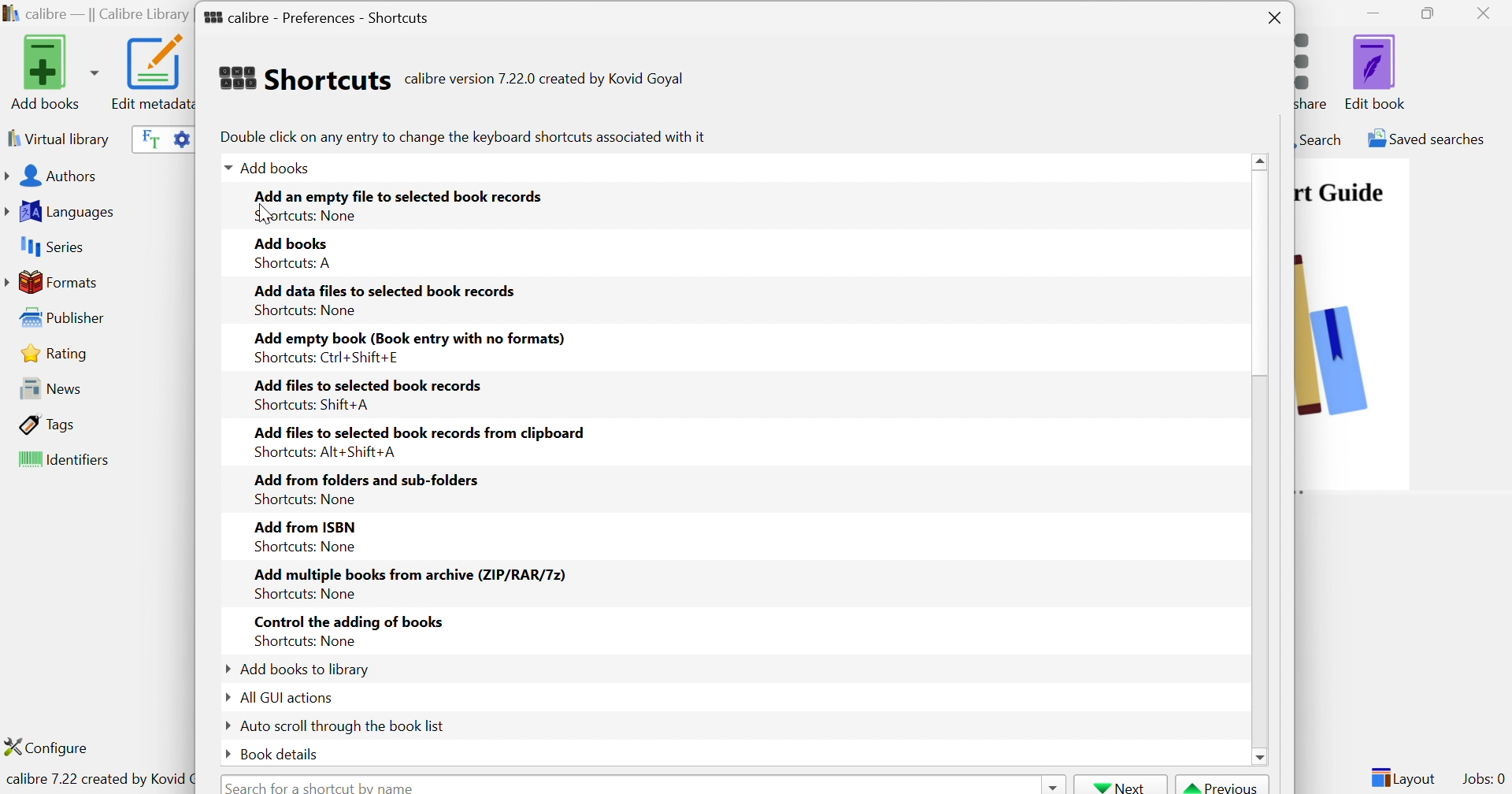 The height and width of the screenshot is (794, 1512). I want to click on Minimize, so click(1373, 12).